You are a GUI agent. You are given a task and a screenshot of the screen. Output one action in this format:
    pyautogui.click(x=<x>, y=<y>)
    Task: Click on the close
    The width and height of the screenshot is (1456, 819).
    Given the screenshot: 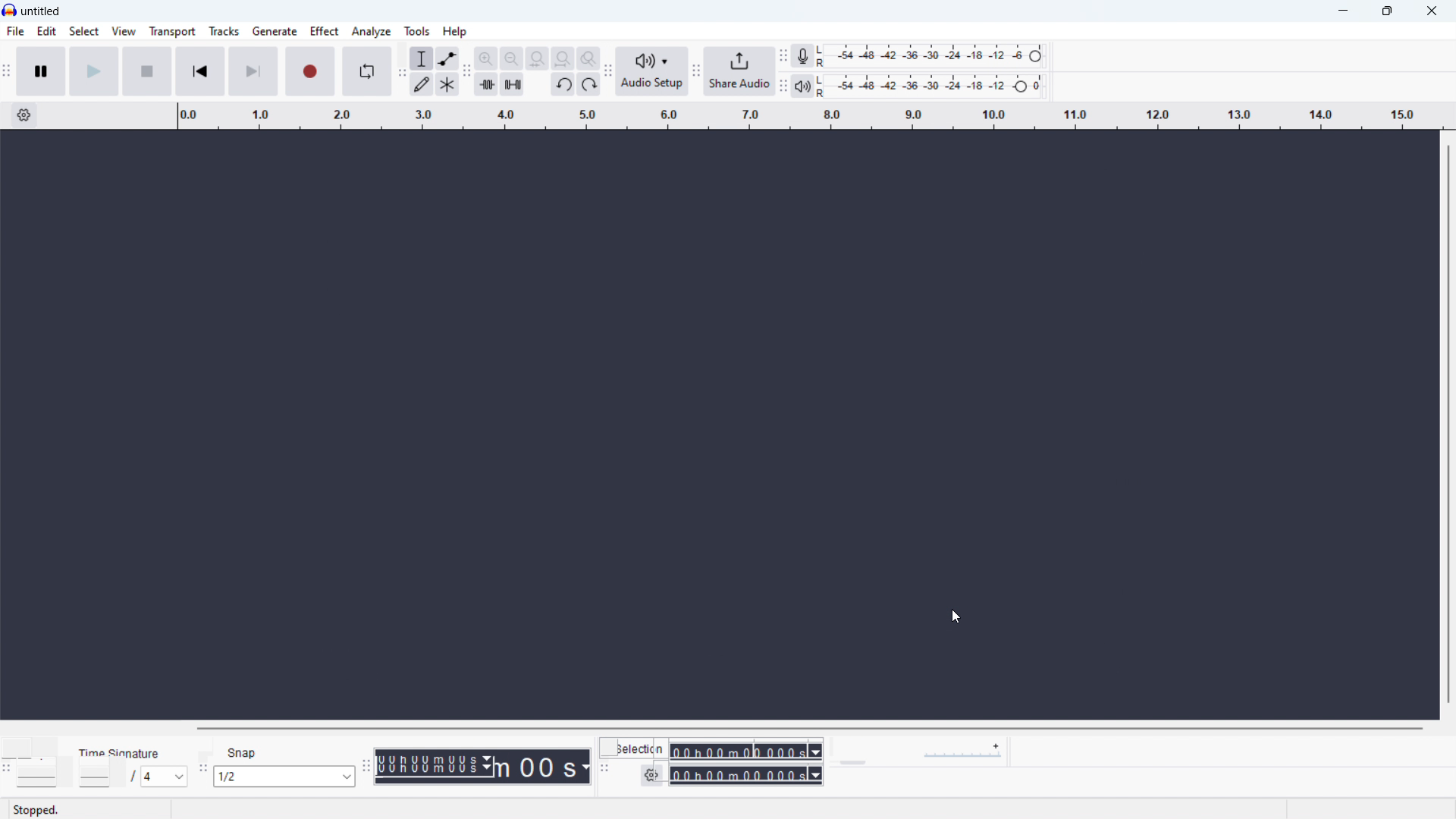 What is the action you would take?
    pyautogui.click(x=1432, y=10)
    